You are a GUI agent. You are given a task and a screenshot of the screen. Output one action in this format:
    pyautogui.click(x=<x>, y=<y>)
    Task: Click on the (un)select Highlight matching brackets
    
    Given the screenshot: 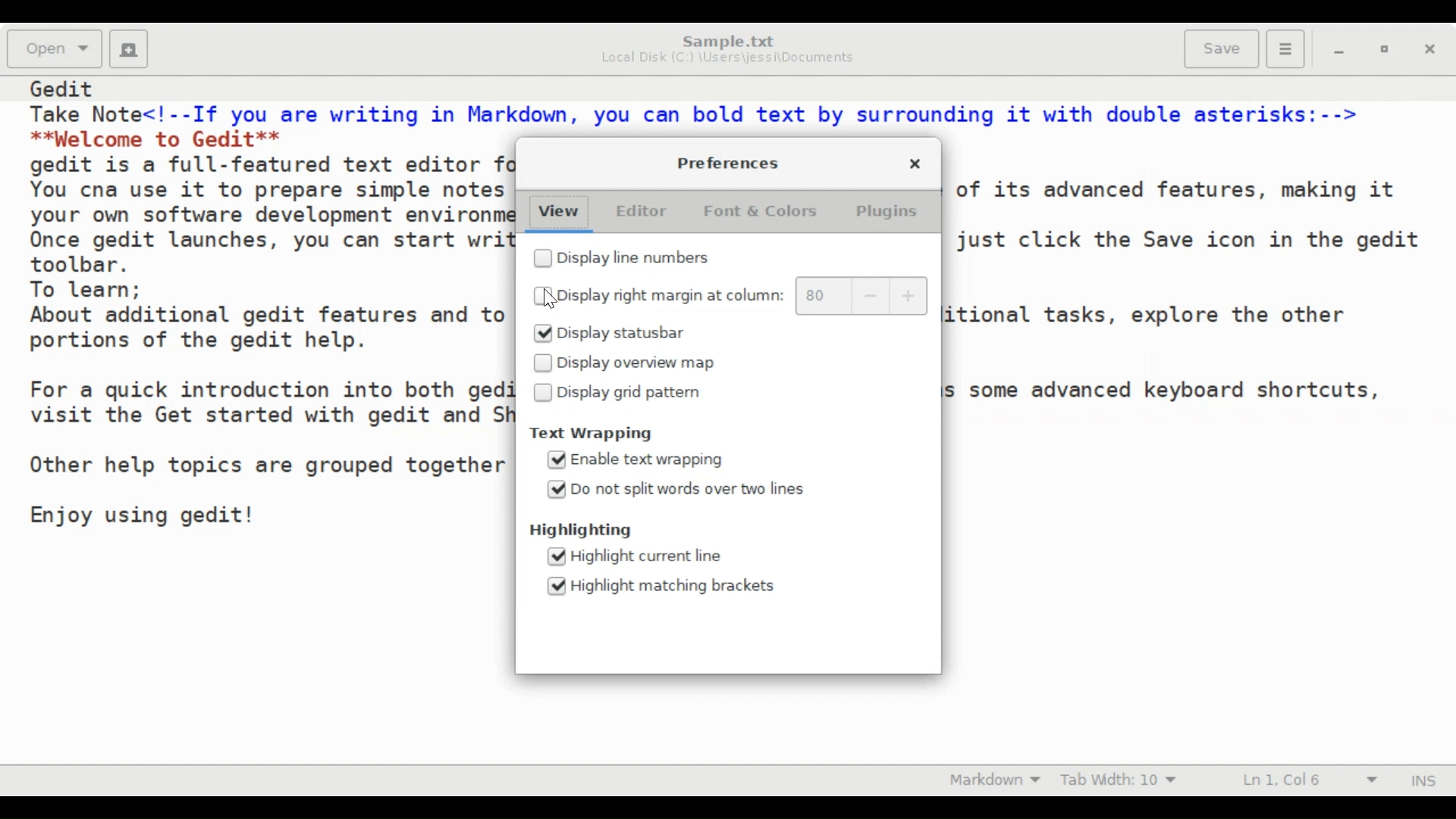 What is the action you would take?
    pyautogui.click(x=670, y=586)
    